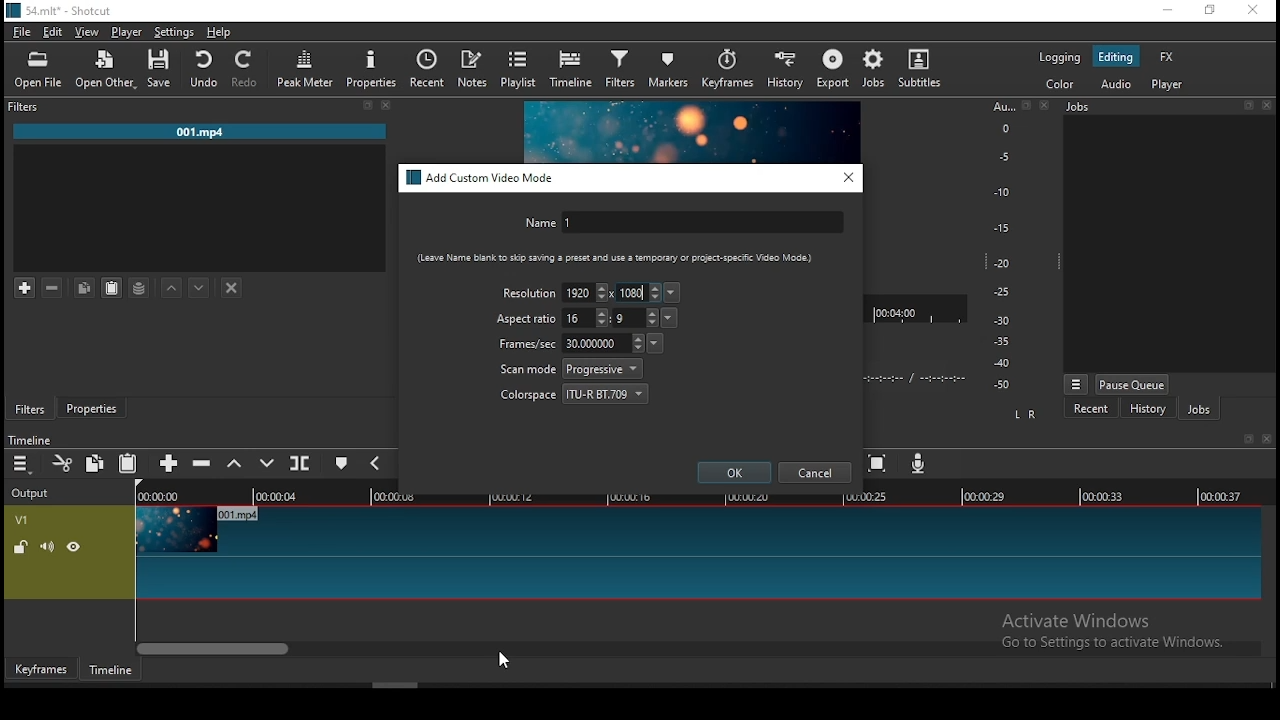  Describe the element at coordinates (402, 497) in the screenshot. I see `00:00:08` at that location.